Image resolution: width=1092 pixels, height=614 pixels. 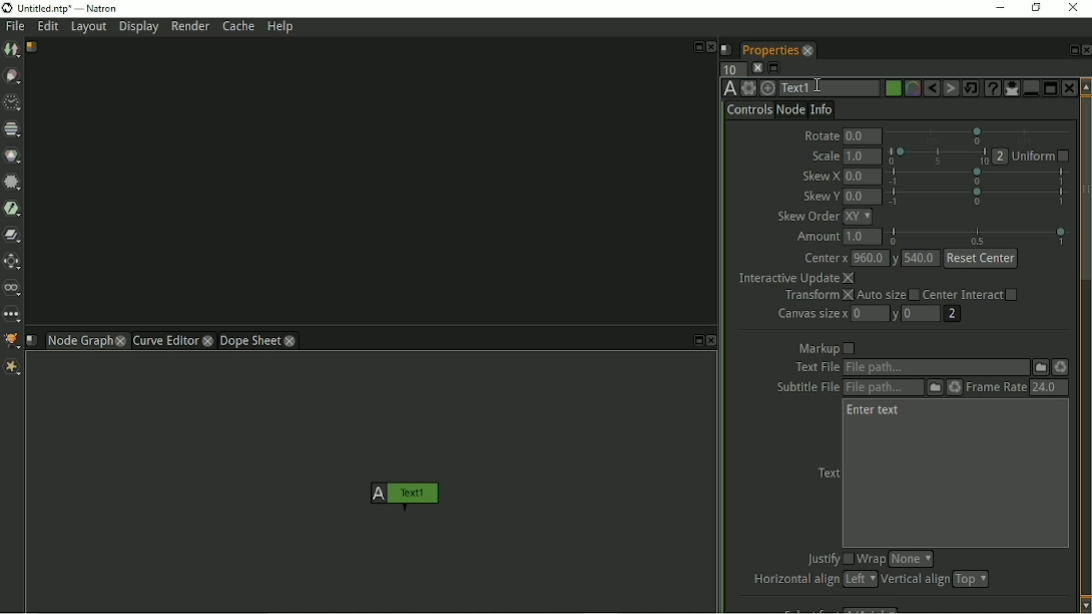 I want to click on Redo, so click(x=951, y=89).